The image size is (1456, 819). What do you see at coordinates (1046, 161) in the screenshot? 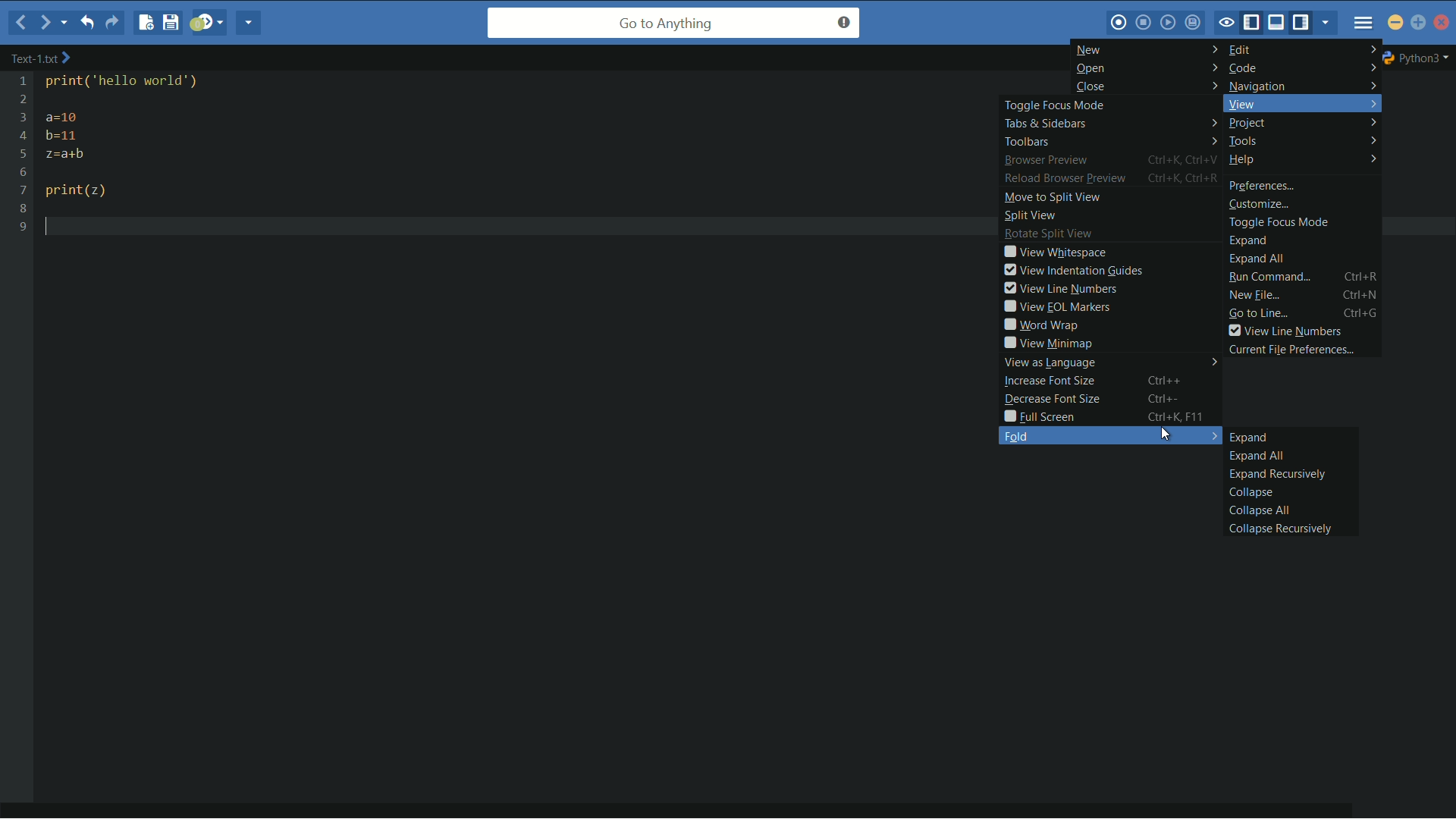
I see `browser preview` at bounding box center [1046, 161].